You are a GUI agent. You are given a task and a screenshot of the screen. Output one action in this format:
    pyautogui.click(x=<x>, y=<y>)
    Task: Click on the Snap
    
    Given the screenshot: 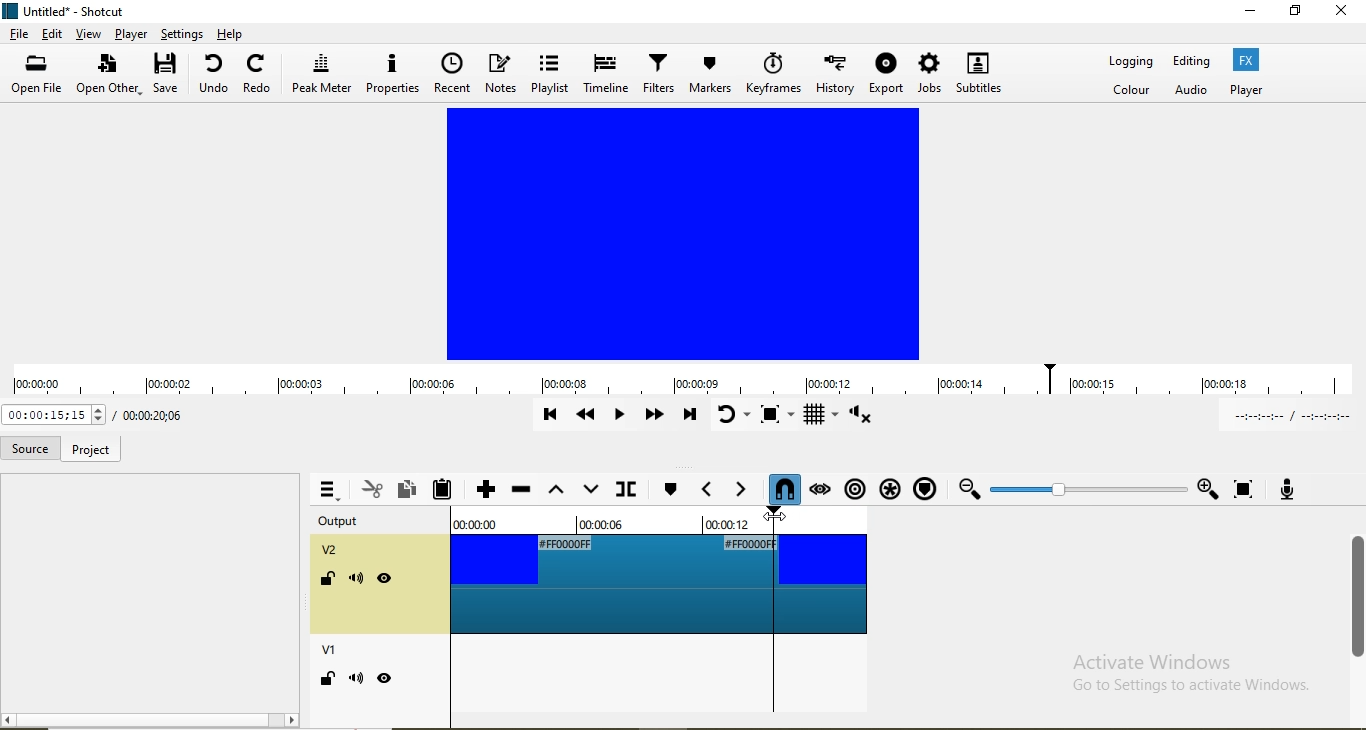 What is the action you would take?
    pyautogui.click(x=781, y=489)
    